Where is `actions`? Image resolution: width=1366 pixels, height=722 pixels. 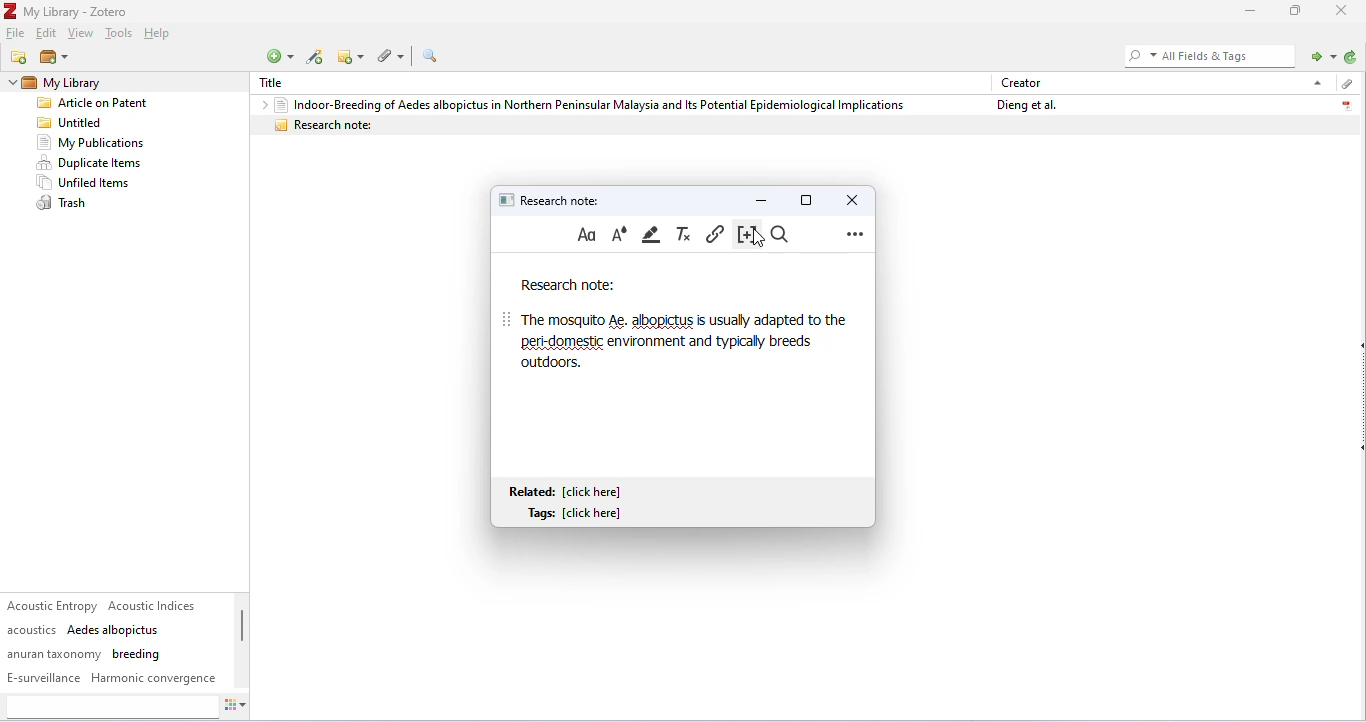
actions is located at coordinates (236, 708).